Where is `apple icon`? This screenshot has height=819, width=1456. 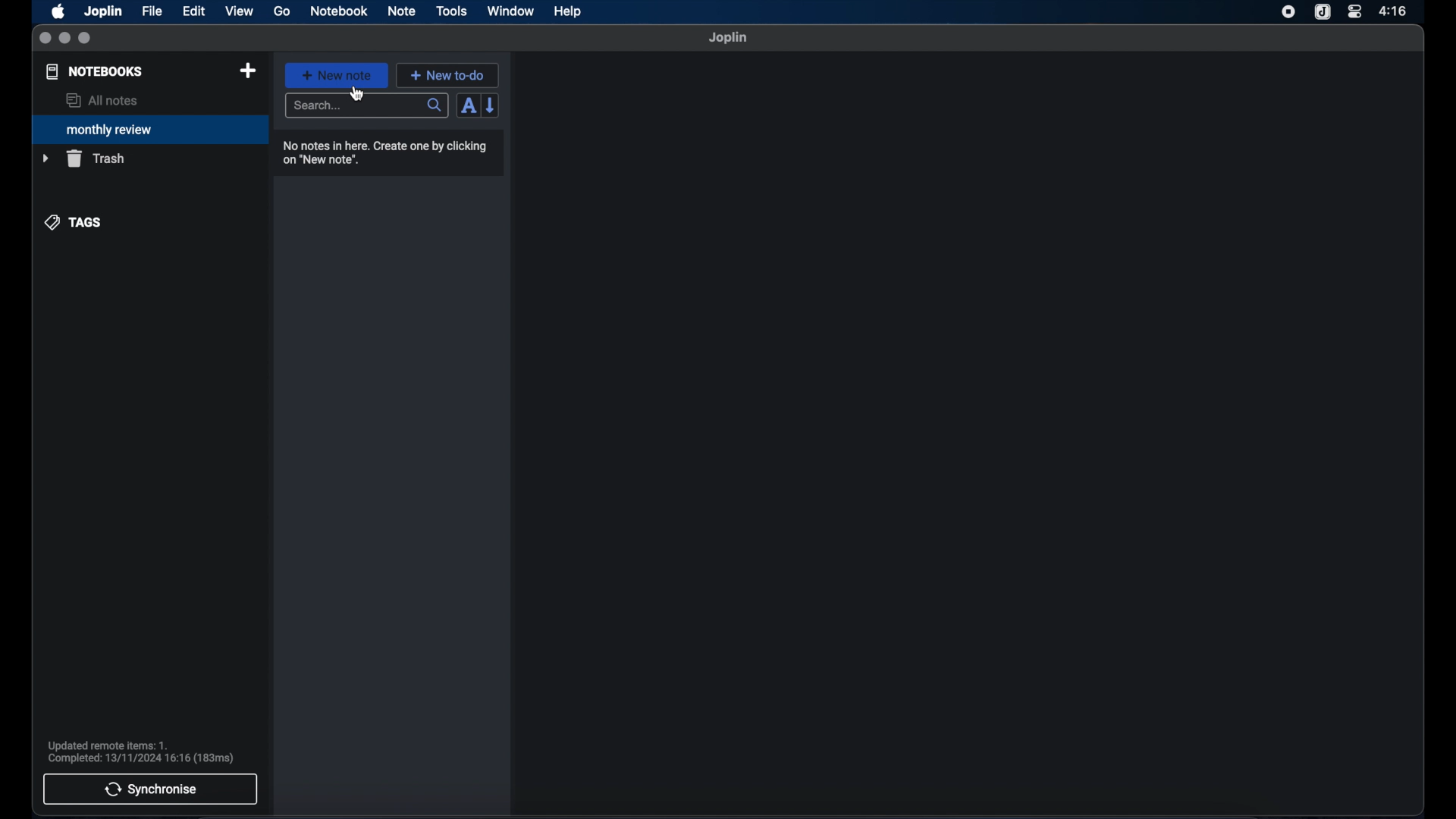
apple icon is located at coordinates (57, 11).